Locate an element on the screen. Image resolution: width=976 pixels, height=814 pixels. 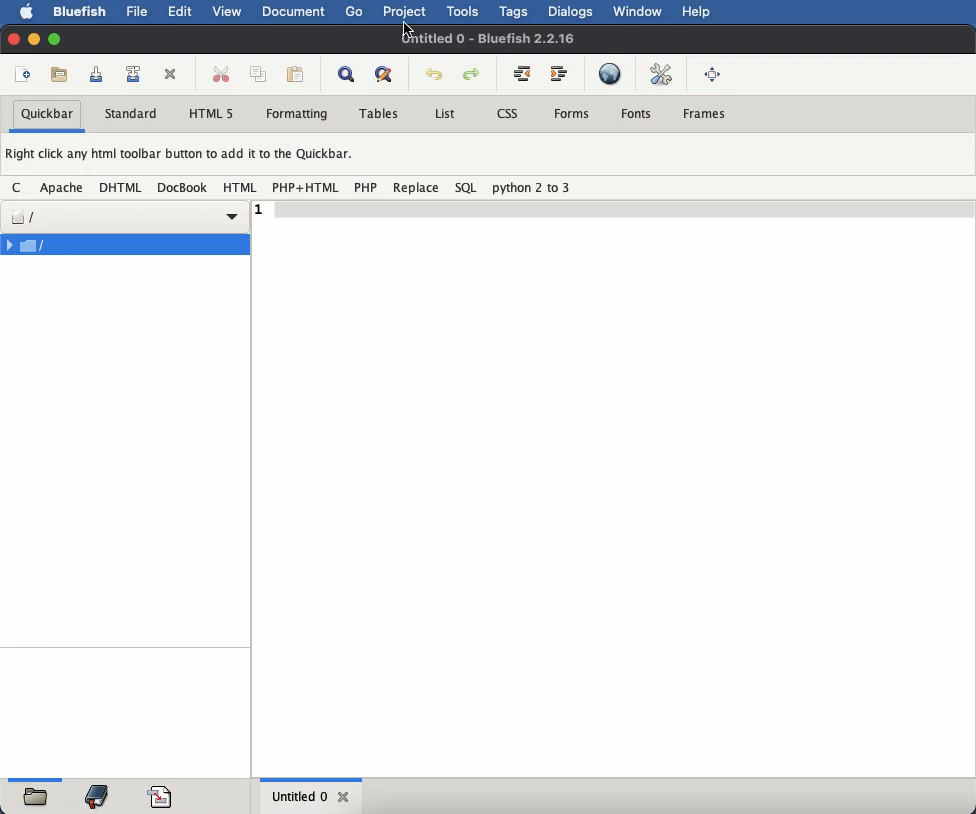
frames is located at coordinates (705, 112).